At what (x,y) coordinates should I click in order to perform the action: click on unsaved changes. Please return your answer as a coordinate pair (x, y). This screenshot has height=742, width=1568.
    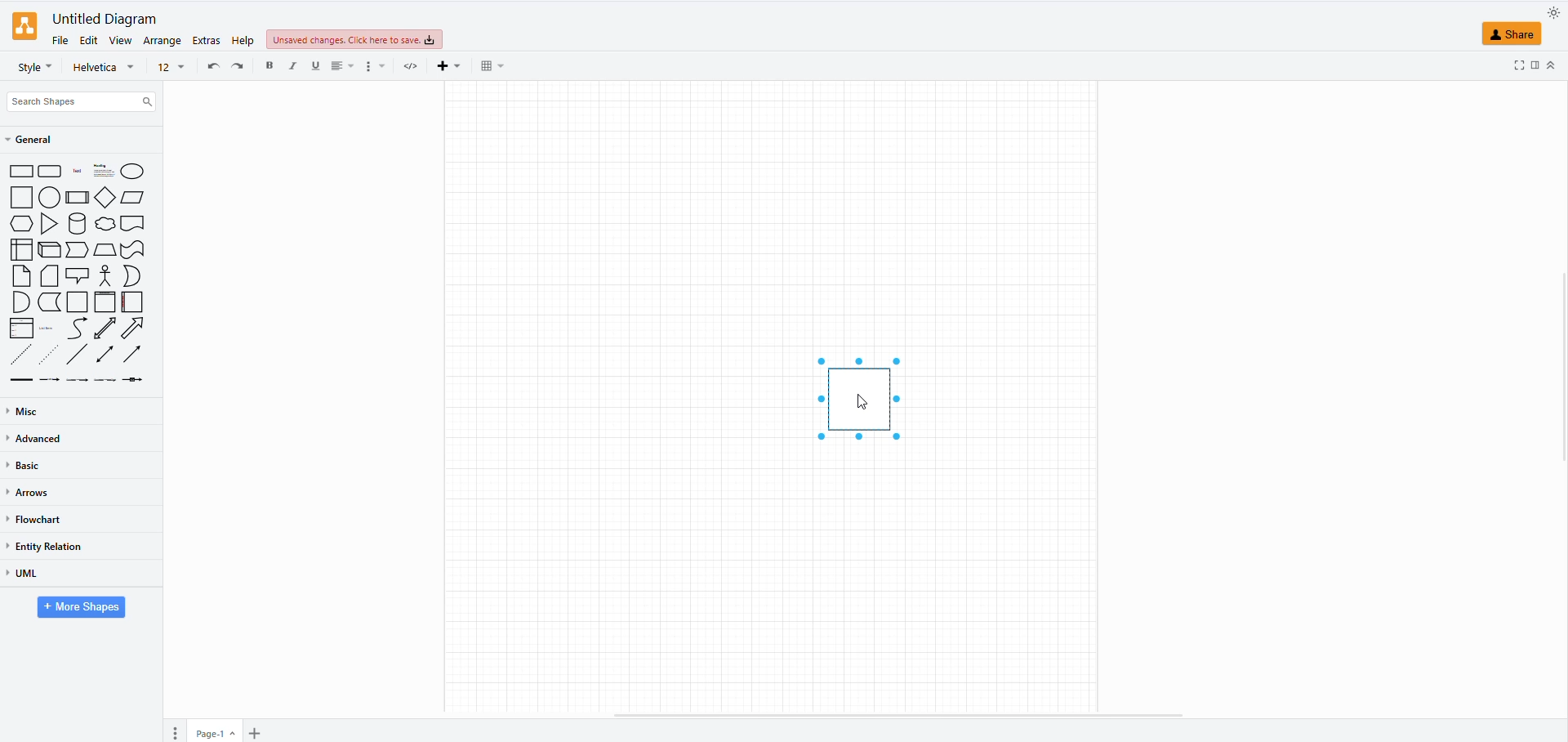
    Looking at the image, I should click on (353, 40).